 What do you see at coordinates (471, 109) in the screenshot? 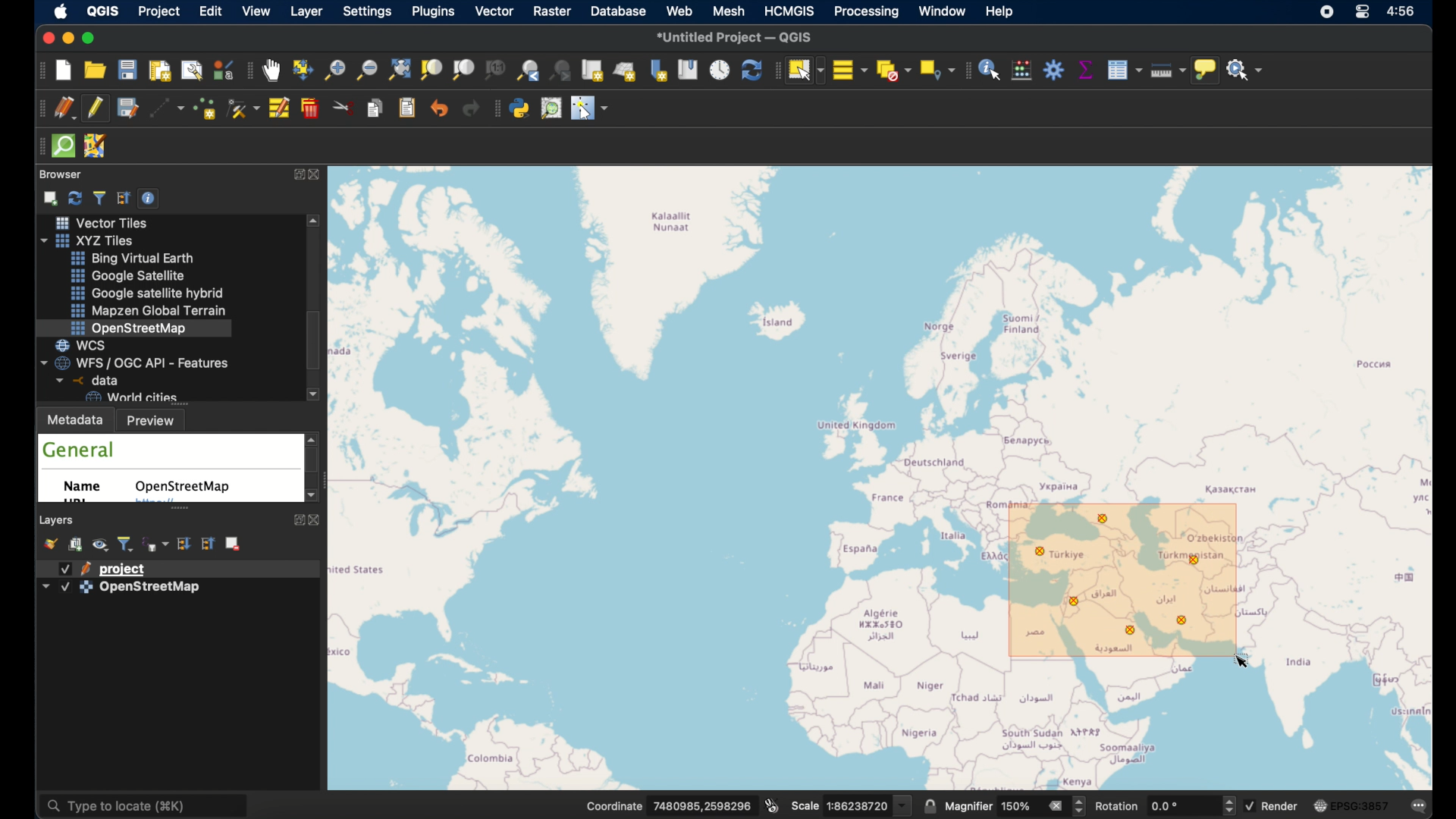
I see `redo` at bounding box center [471, 109].